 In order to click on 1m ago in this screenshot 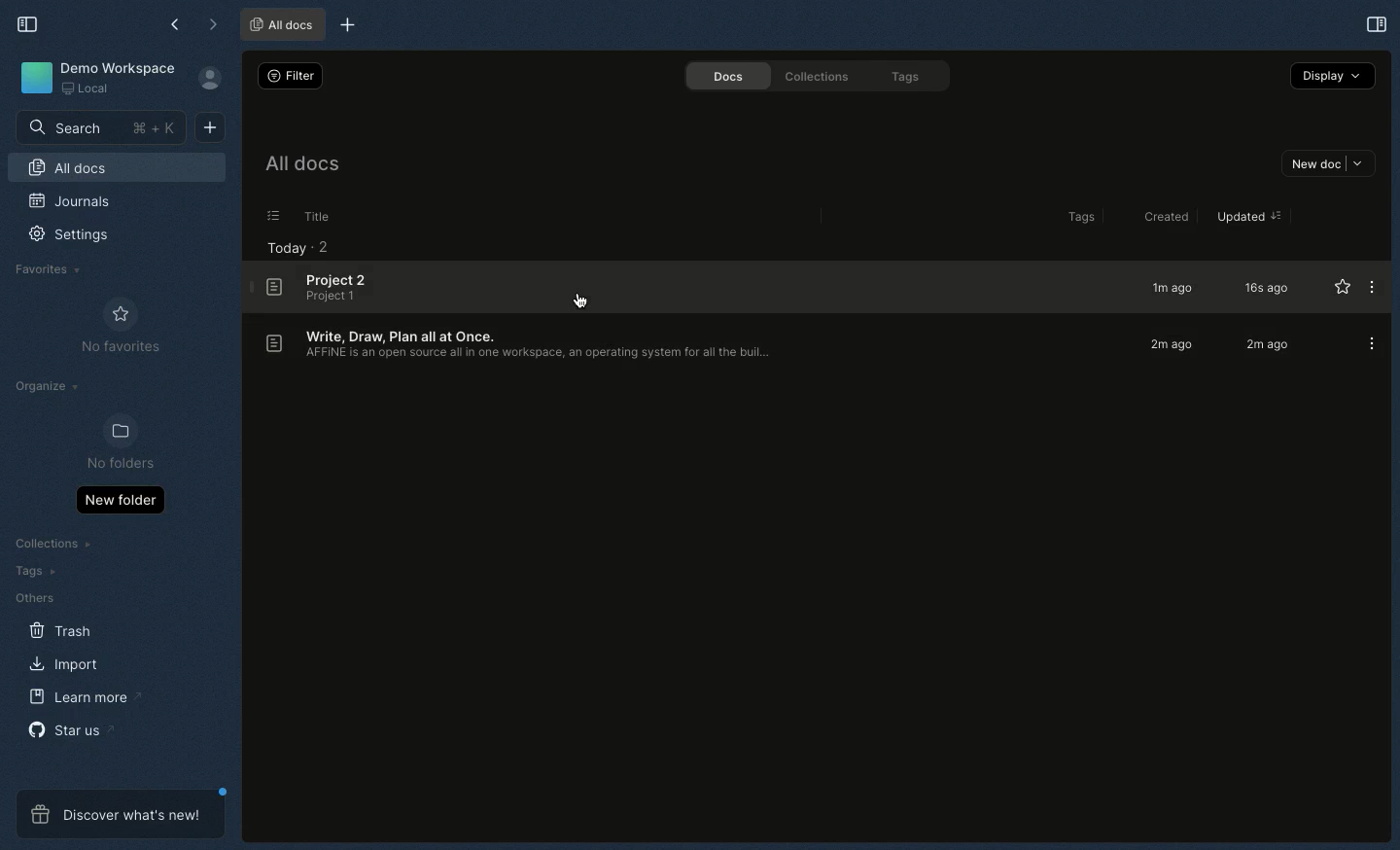, I will do `click(1172, 287)`.